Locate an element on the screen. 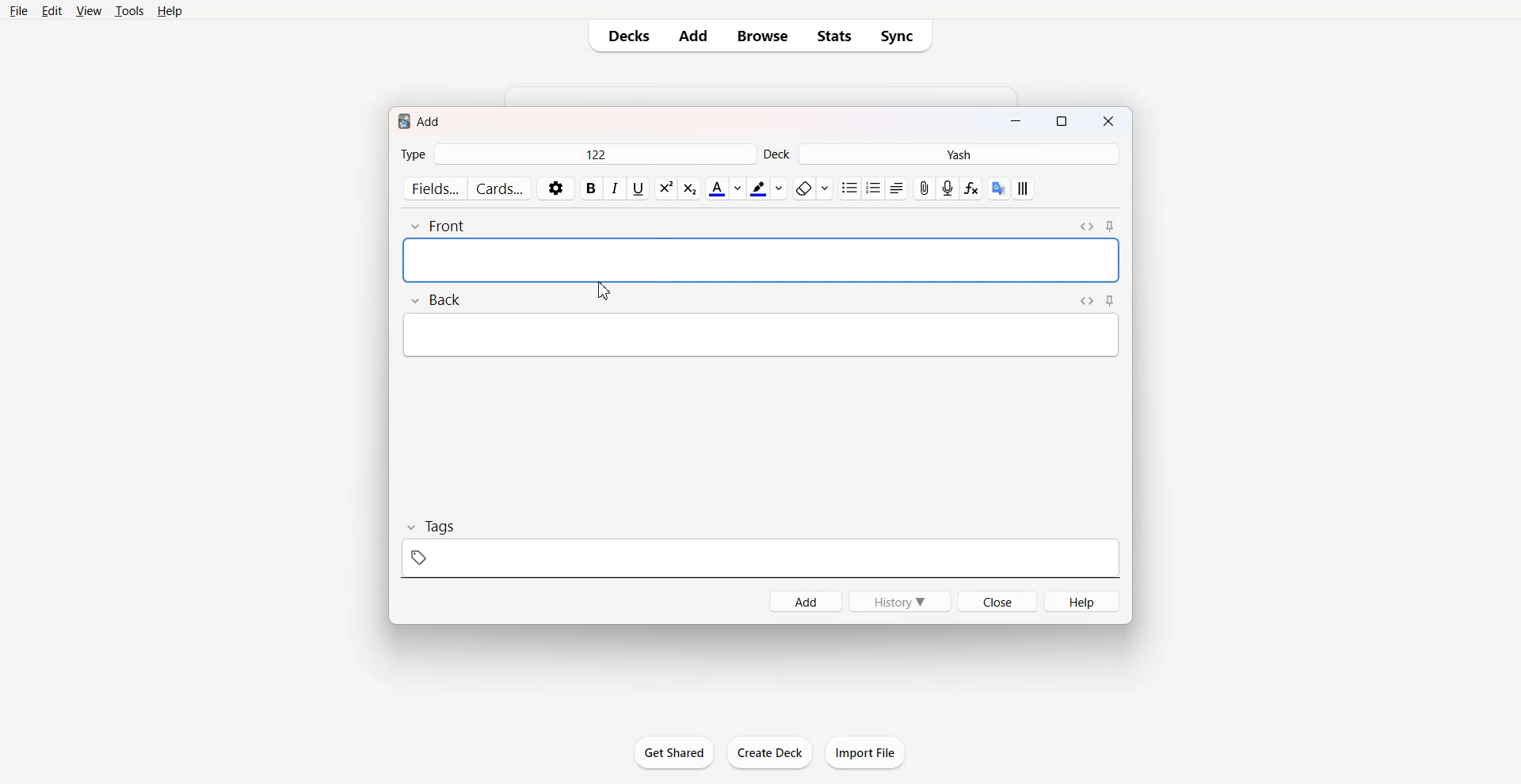  Highlight Text Color is located at coordinates (767, 188).